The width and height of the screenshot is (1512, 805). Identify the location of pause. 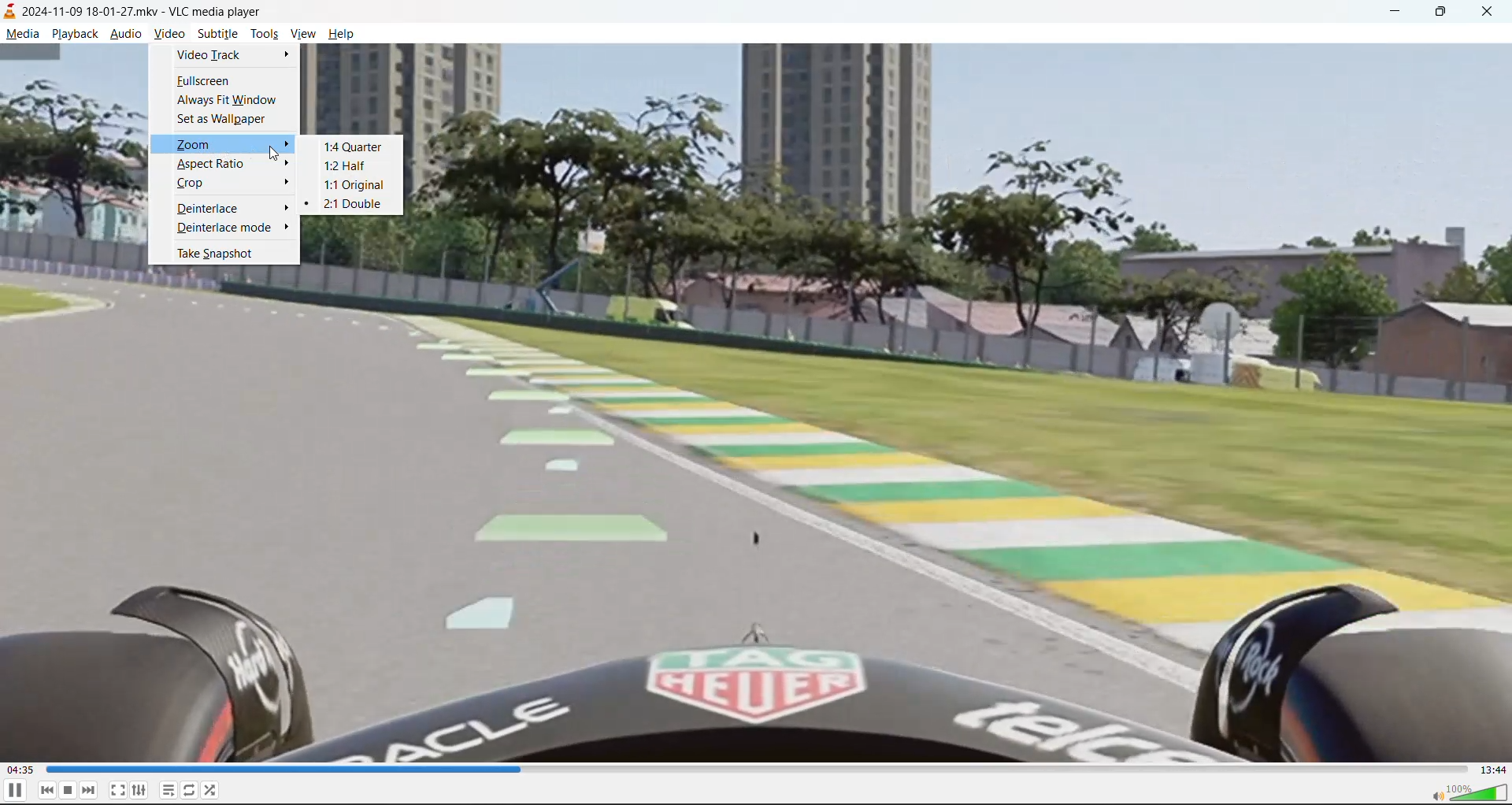
(17, 792).